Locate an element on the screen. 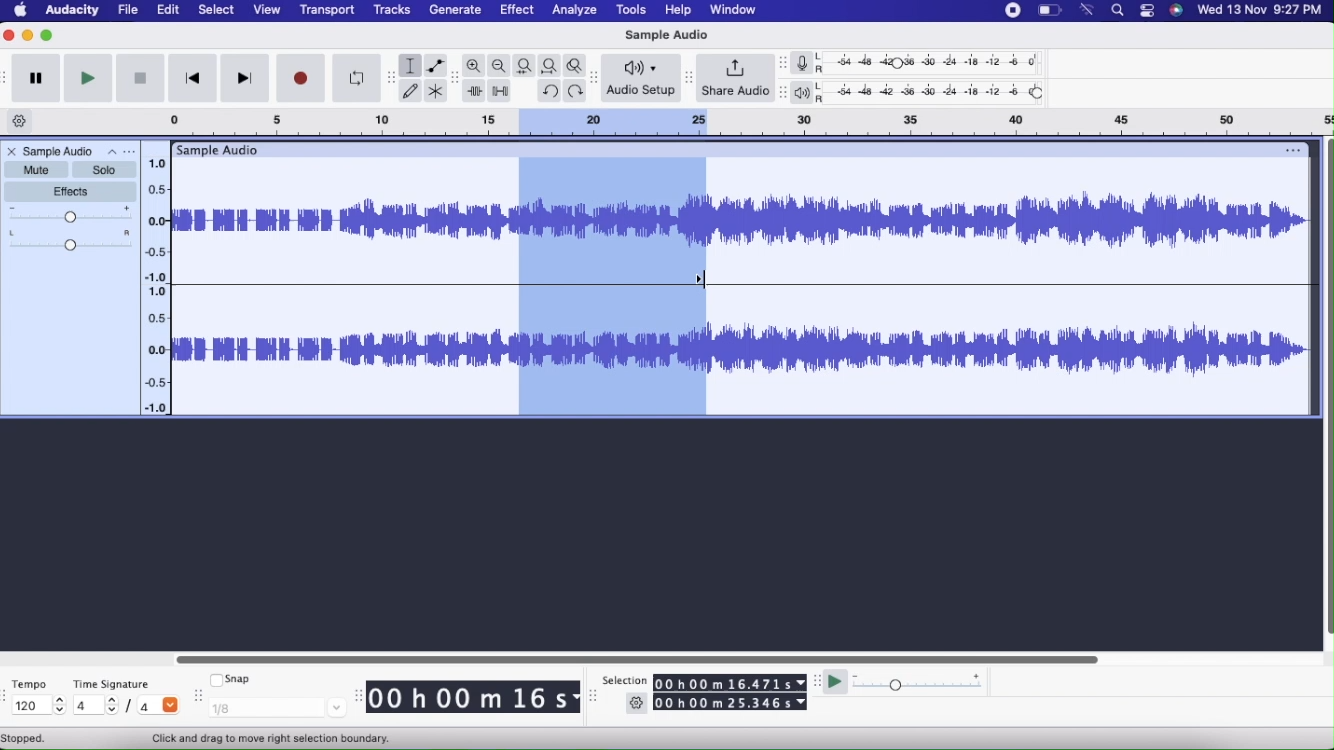  Selection is located at coordinates (615, 287).